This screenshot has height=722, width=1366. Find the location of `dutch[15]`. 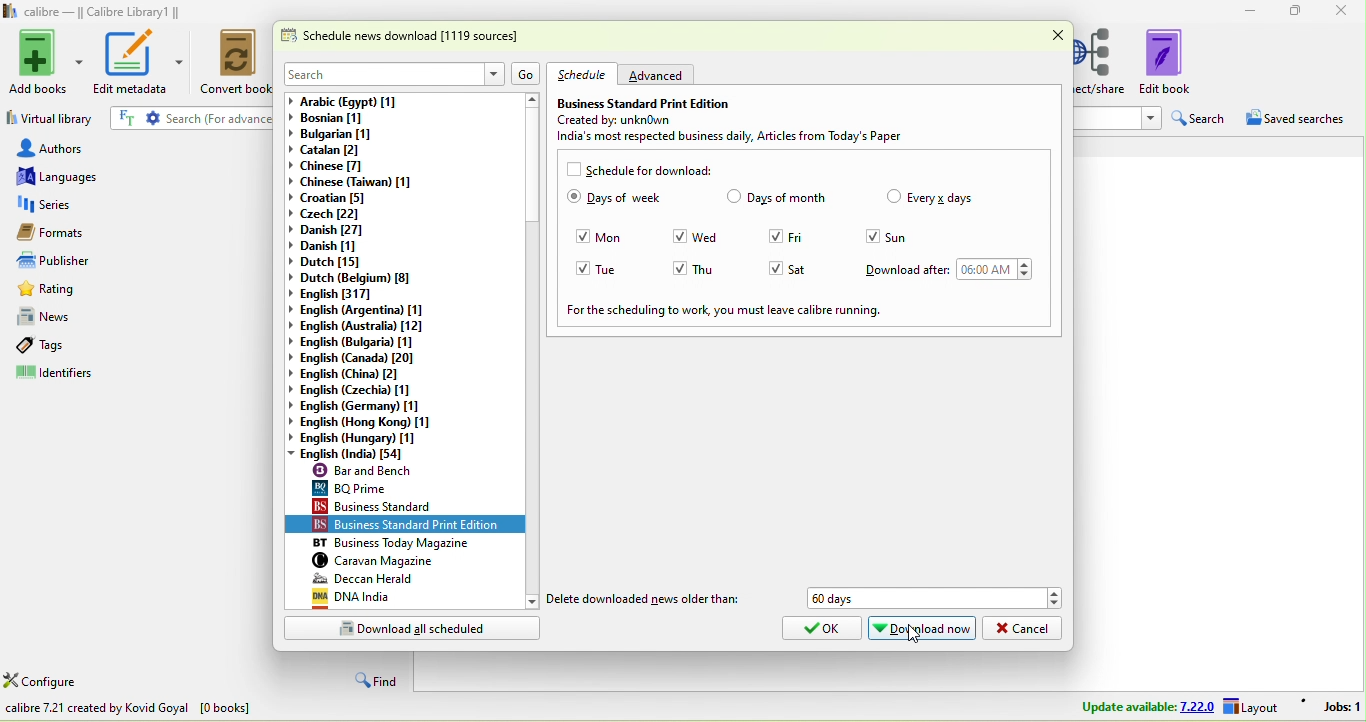

dutch[15] is located at coordinates (336, 263).